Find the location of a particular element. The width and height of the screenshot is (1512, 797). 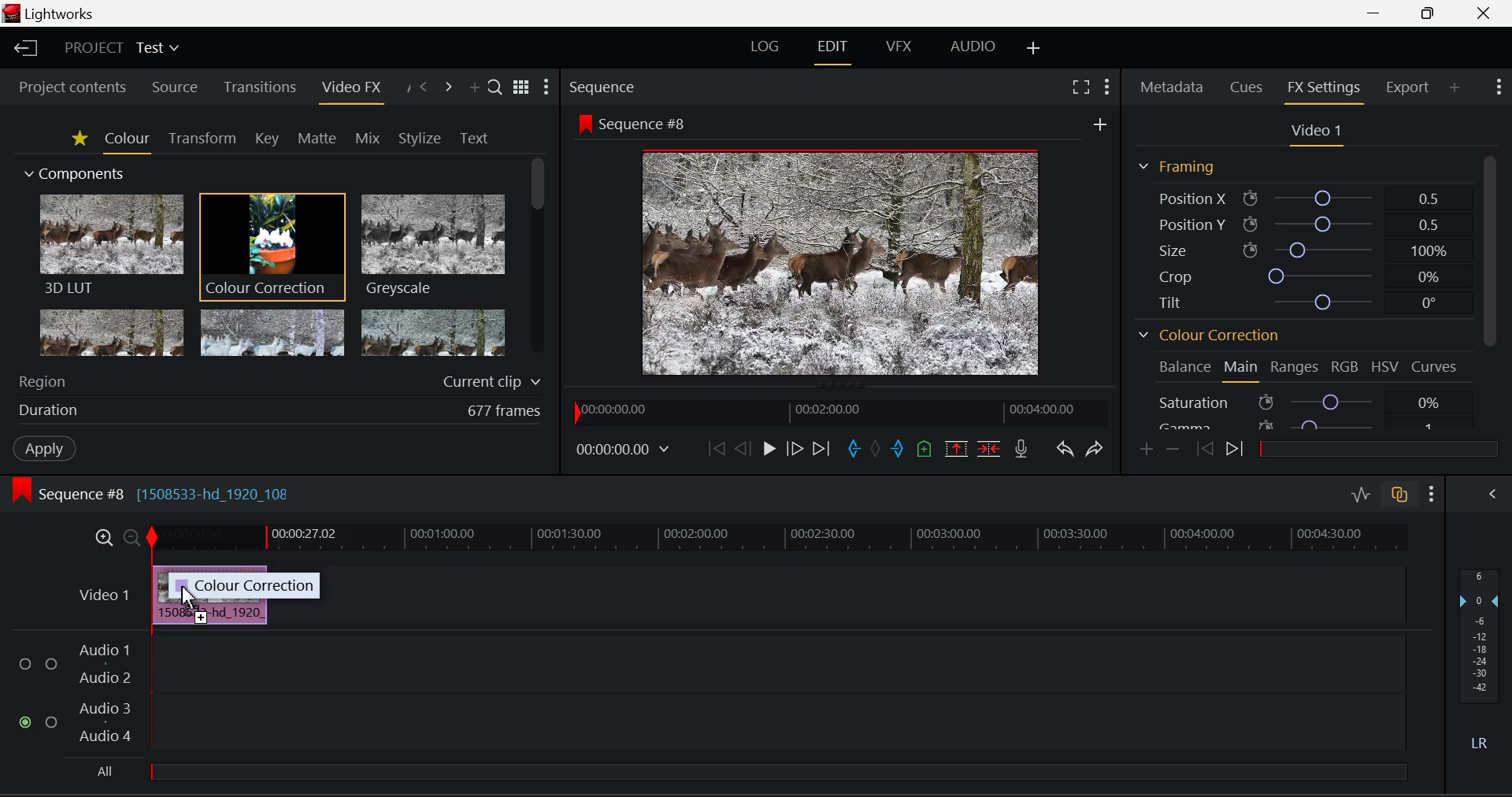

Remove keyframe is located at coordinates (1171, 451).